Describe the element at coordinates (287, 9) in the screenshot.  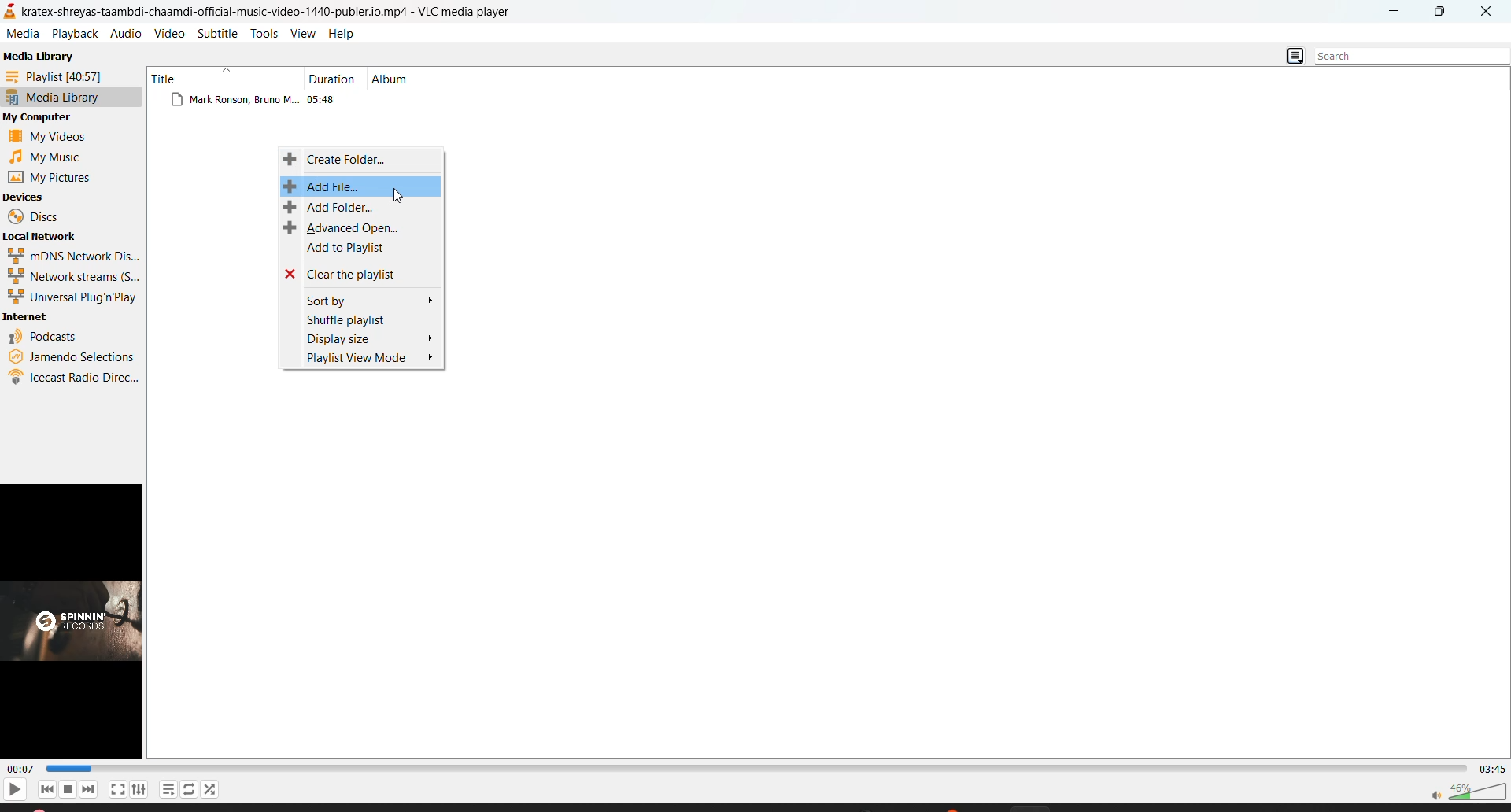
I see `kratex-shreyas-taambdi-chaamdi-official-music-video-1440-publer.io.mp4 - VLC media player` at that location.